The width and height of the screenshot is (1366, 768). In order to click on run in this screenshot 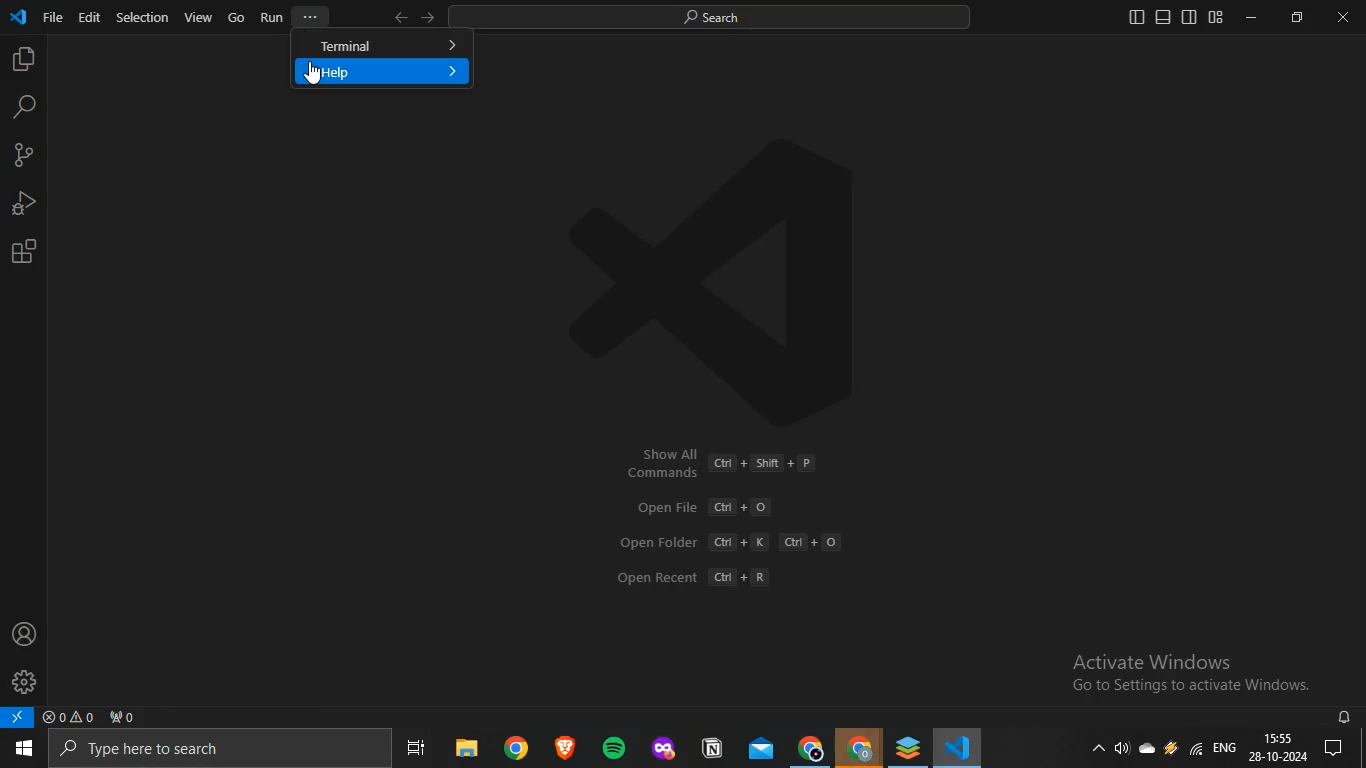, I will do `click(271, 17)`.